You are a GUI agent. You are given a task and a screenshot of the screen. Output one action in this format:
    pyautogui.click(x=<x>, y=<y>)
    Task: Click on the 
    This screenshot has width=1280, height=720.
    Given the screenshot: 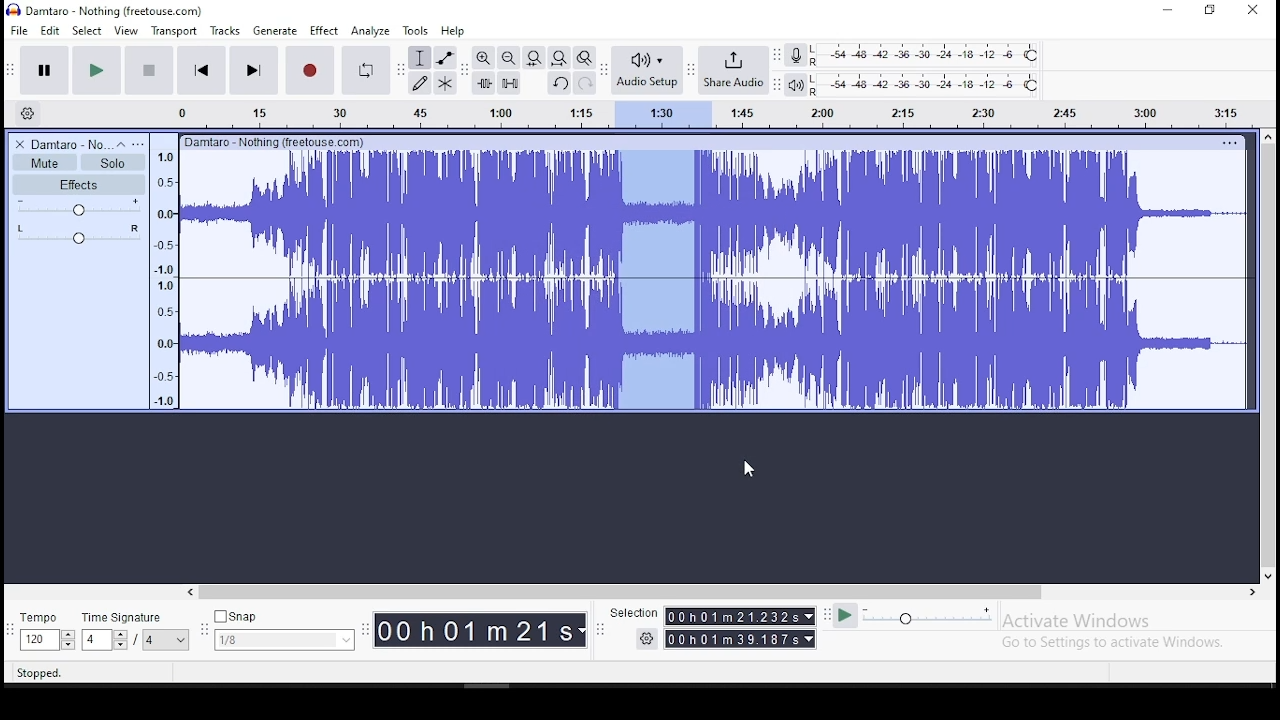 What is the action you would take?
    pyautogui.click(x=465, y=69)
    